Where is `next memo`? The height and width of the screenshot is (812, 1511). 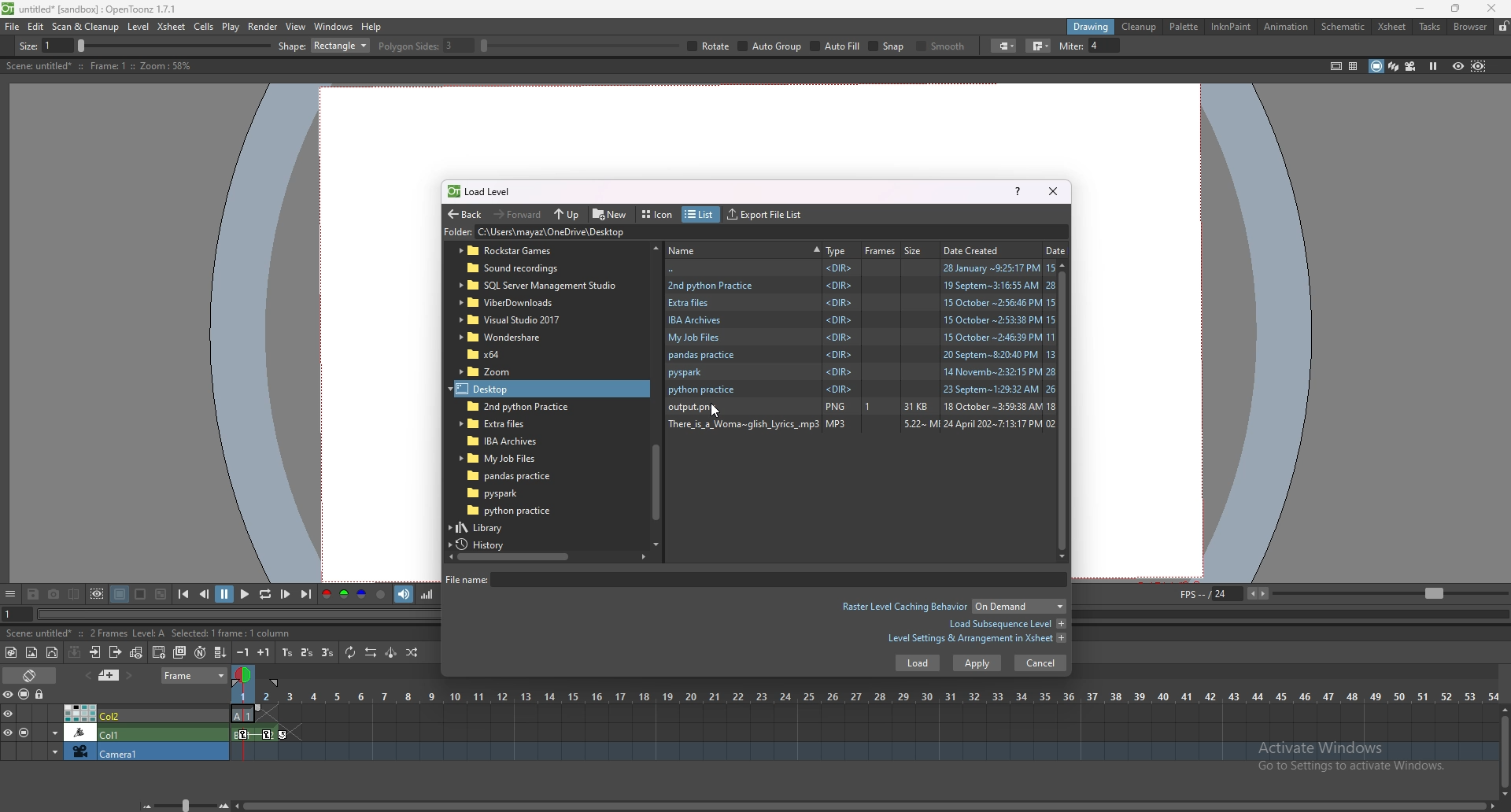
next memo is located at coordinates (131, 676).